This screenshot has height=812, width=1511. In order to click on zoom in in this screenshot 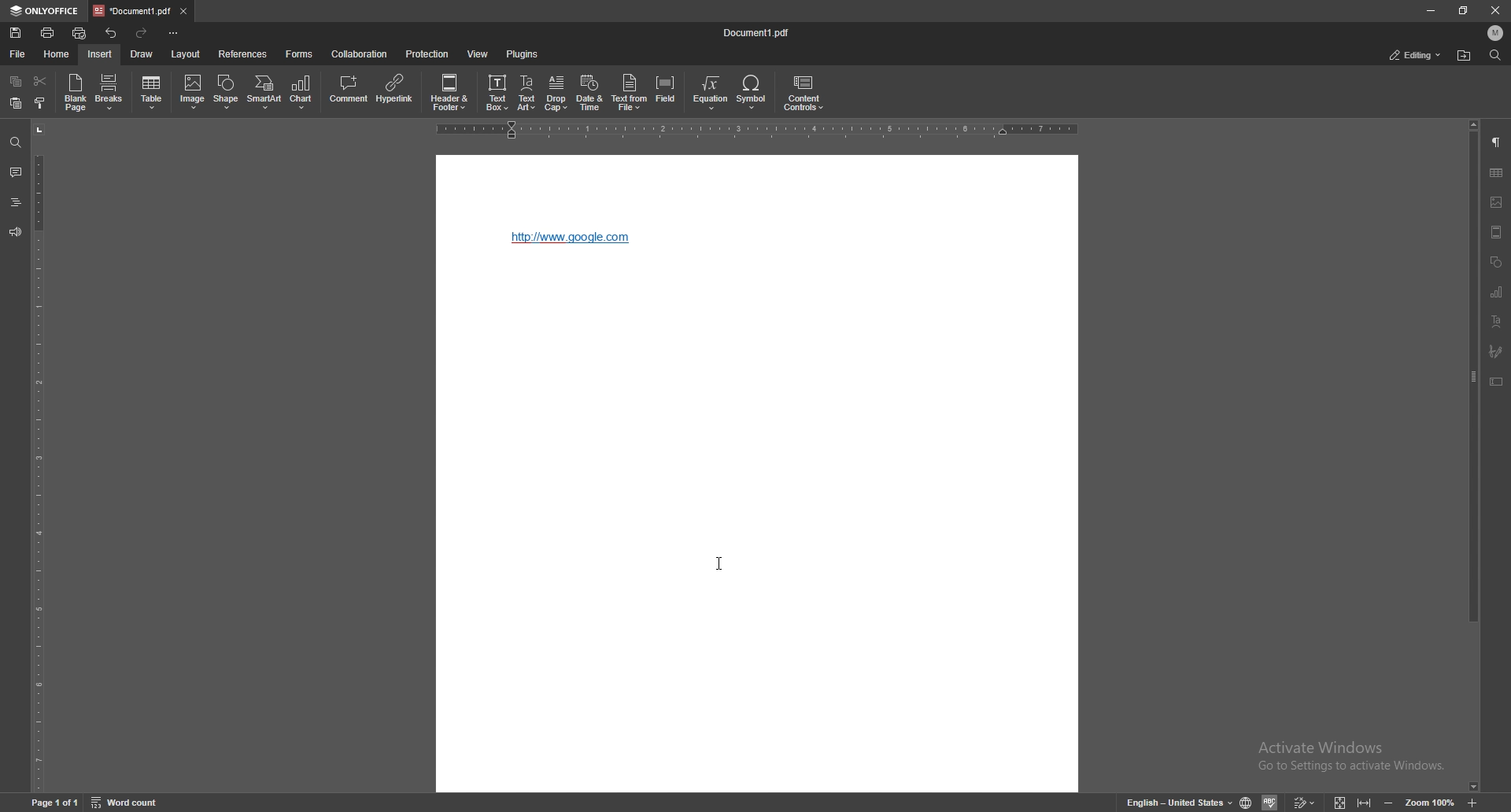, I will do `click(1473, 803)`.